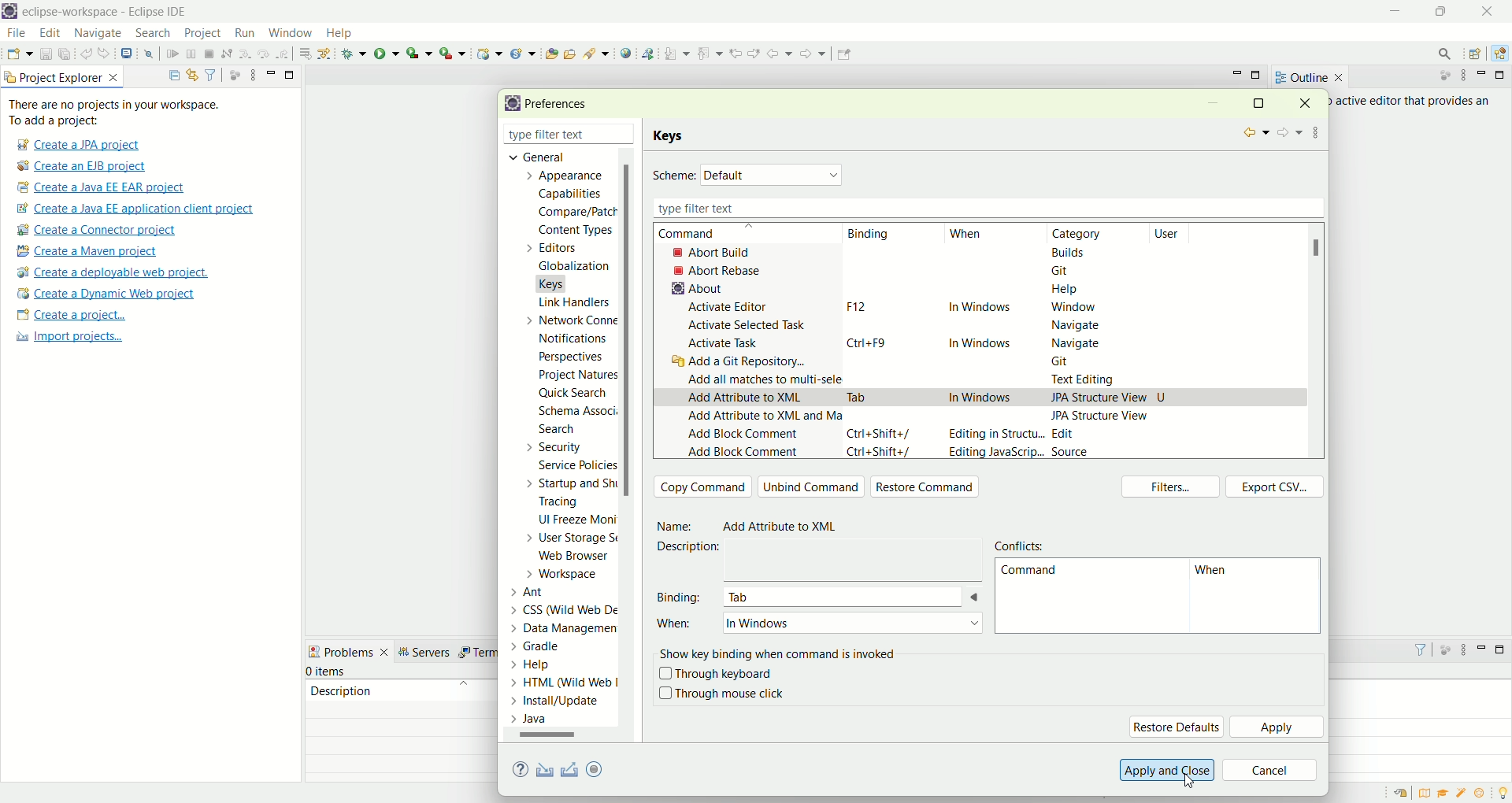 The height and width of the screenshot is (803, 1512). Describe the element at coordinates (1428, 793) in the screenshot. I see `overview` at that location.